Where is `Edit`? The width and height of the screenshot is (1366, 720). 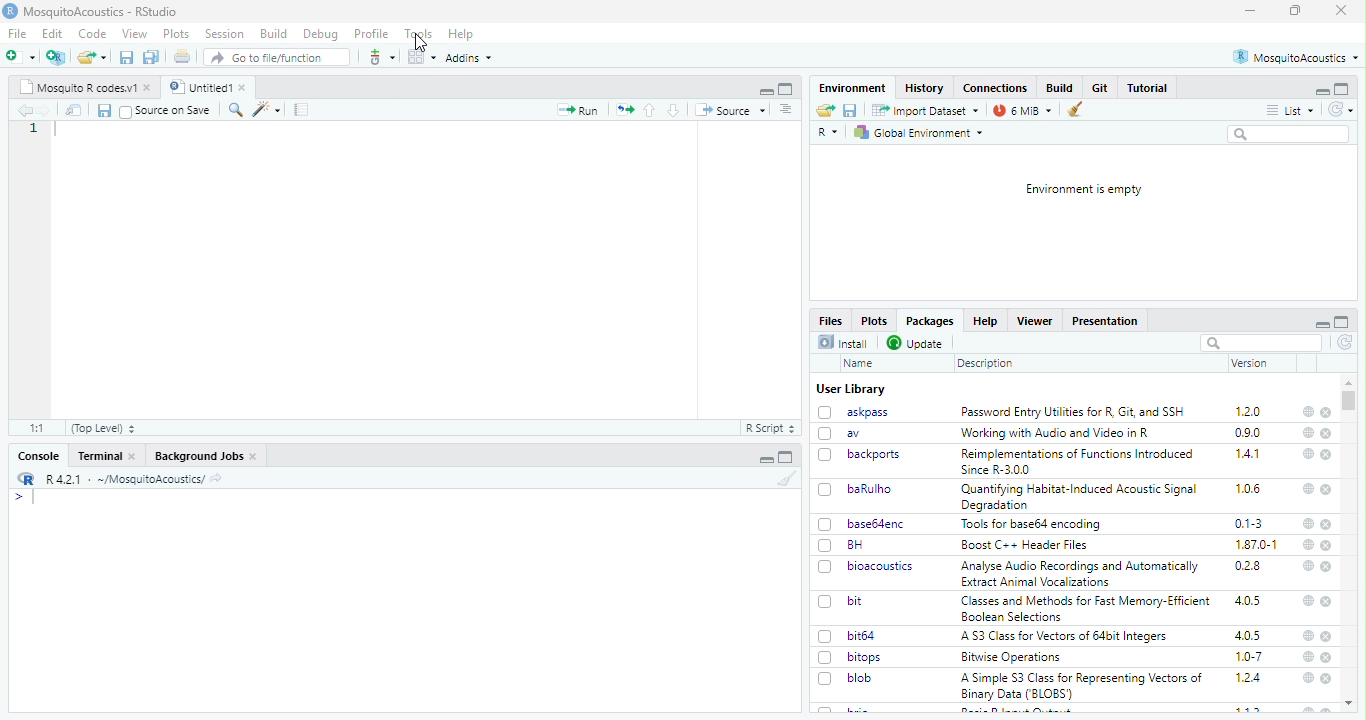
Edit is located at coordinates (54, 33).